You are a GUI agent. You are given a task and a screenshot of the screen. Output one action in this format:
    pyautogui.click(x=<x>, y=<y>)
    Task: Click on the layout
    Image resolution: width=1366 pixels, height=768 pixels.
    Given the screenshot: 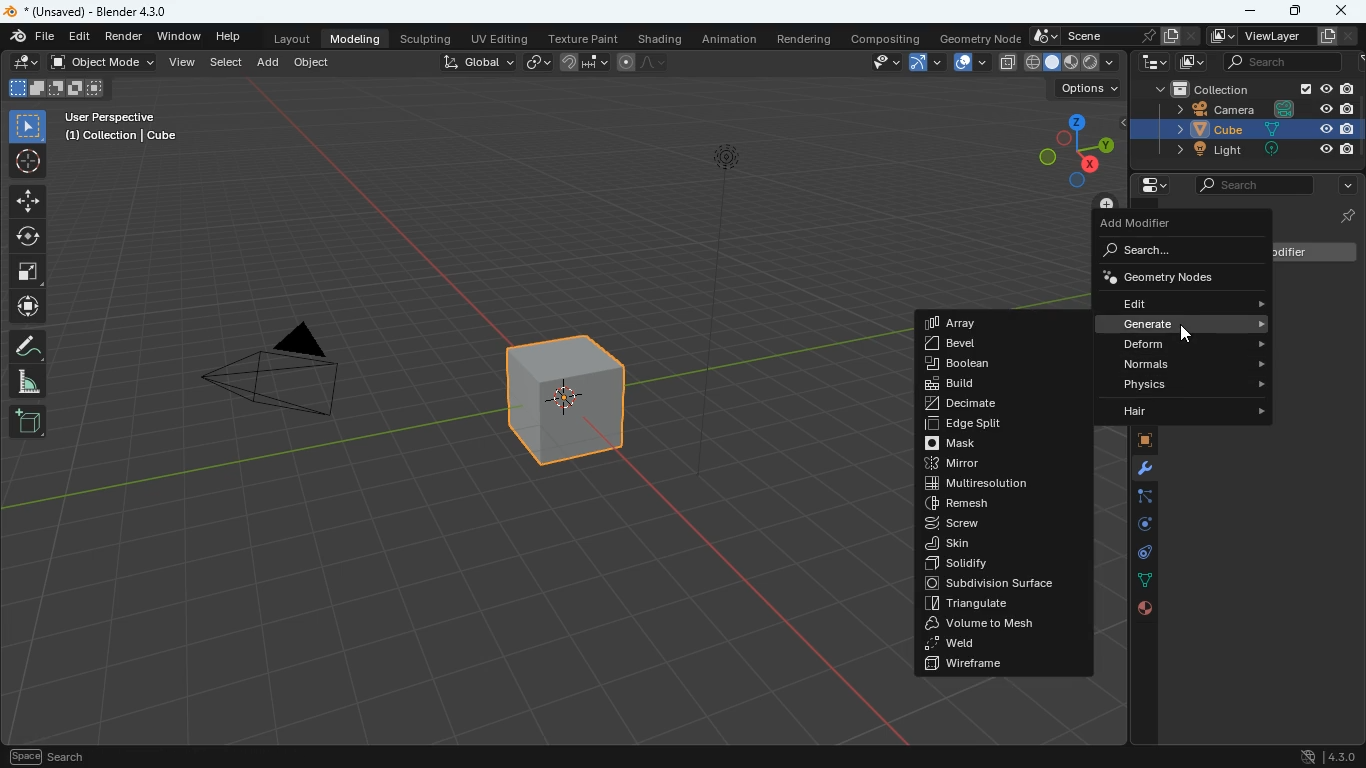 What is the action you would take?
    pyautogui.click(x=291, y=41)
    